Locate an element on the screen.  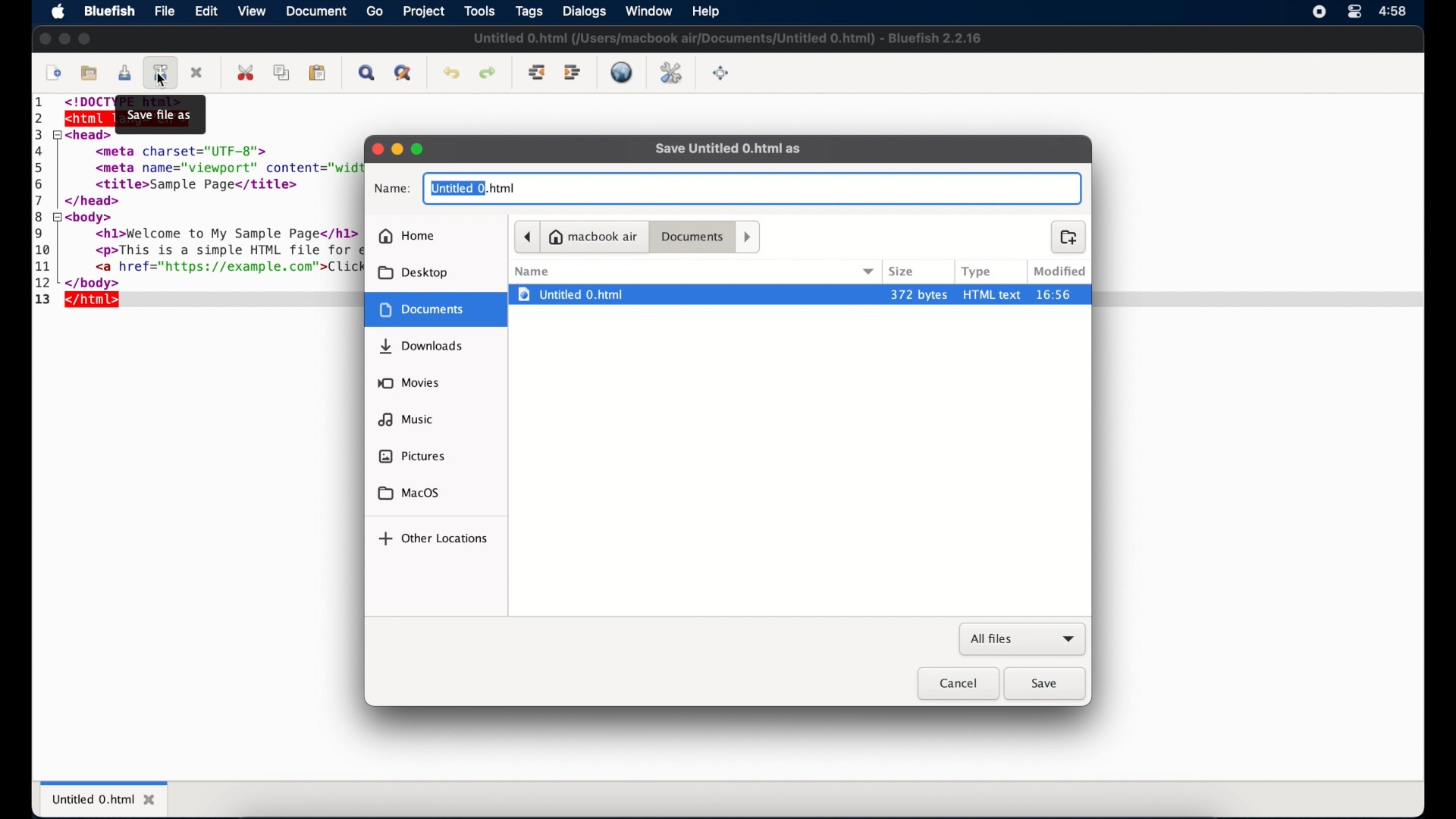
maximize is located at coordinates (419, 149).